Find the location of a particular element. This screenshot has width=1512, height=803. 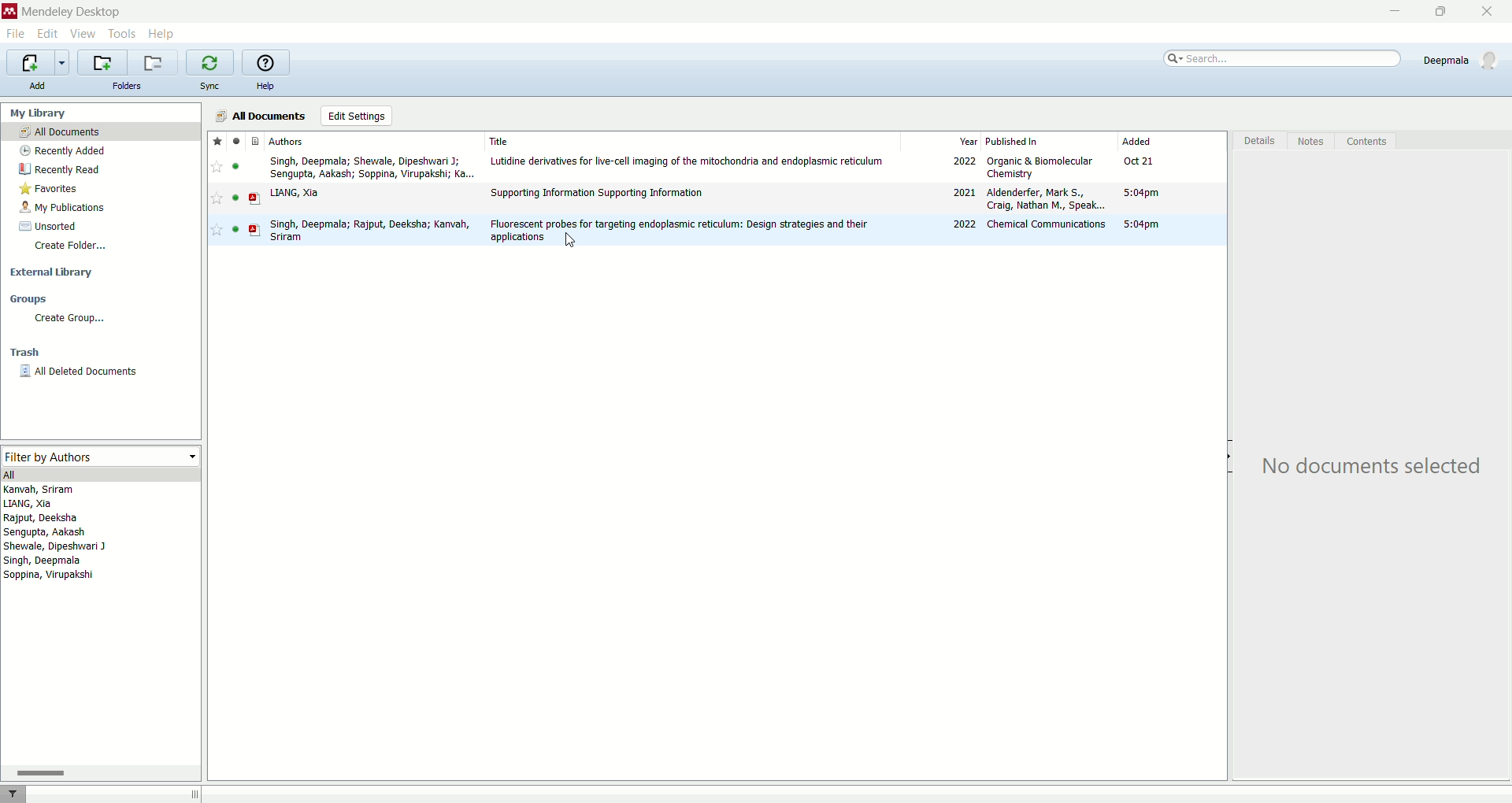

synchronize the library with mendeley web is located at coordinates (210, 62).